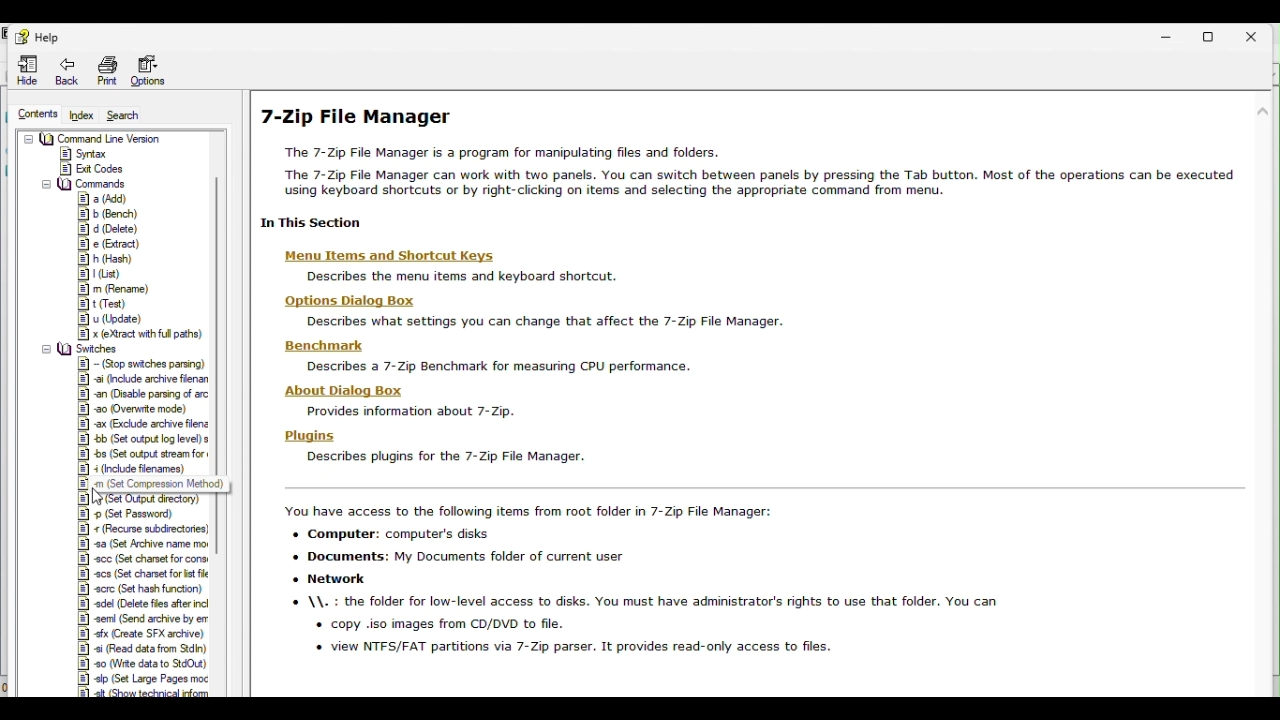  What do you see at coordinates (411, 410) in the screenshot?
I see `description text` at bounding box center [411, 410].